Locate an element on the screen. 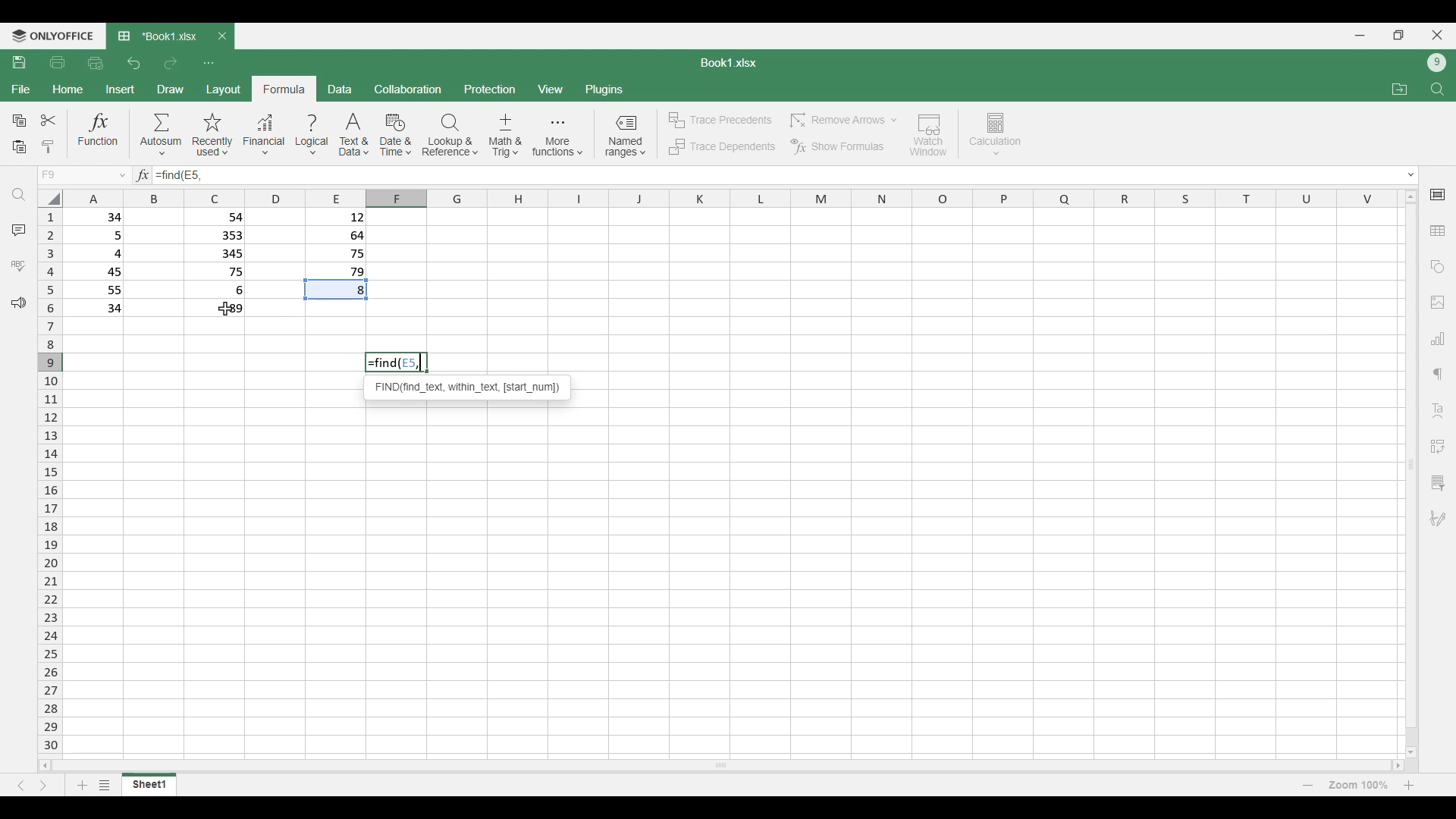 The height and width of the screenshot is (819, 1456). Cell settings is located at coordinates (1438, 195).